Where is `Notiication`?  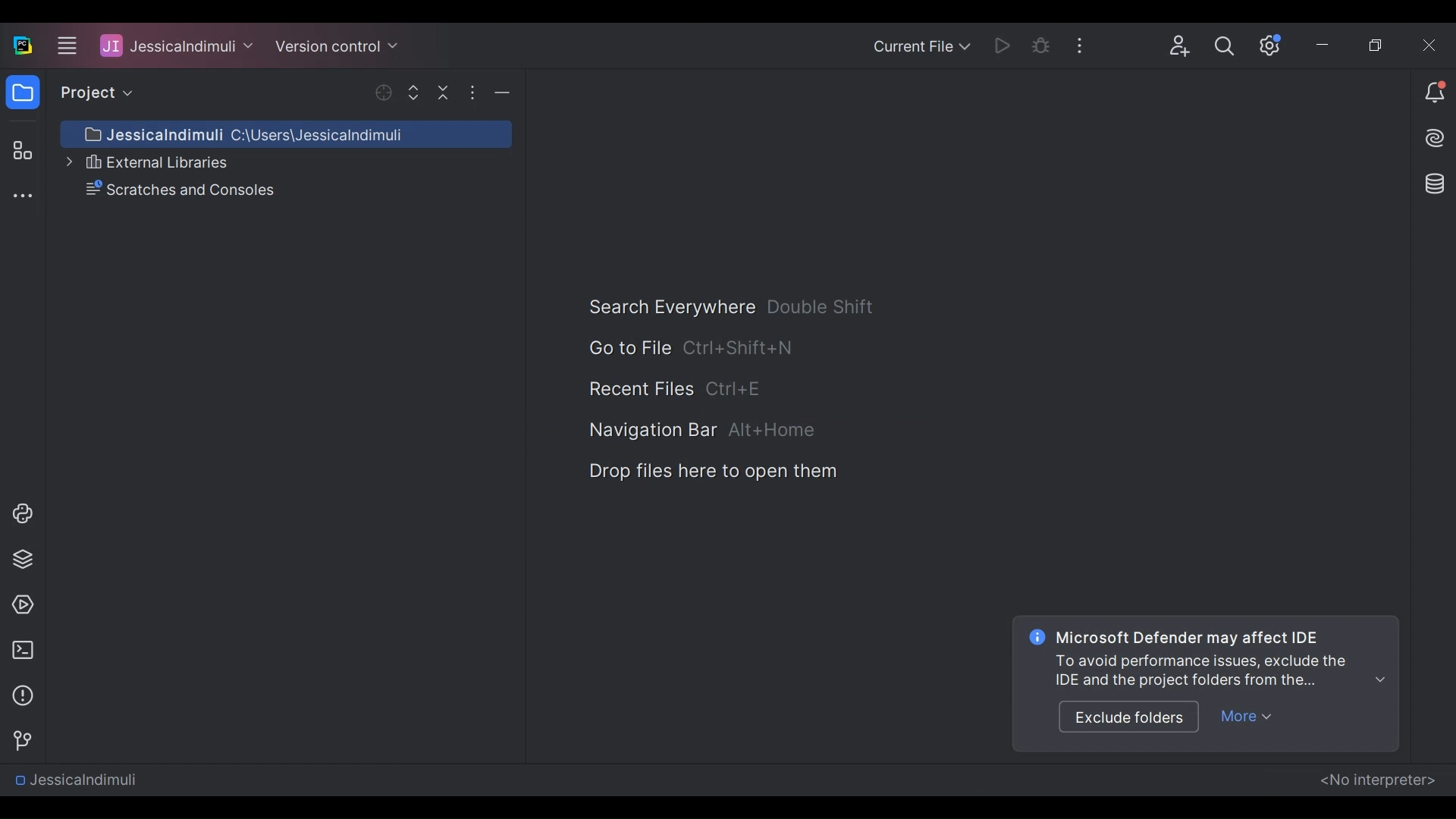 Notiication is located at coordinates (1435, 93).